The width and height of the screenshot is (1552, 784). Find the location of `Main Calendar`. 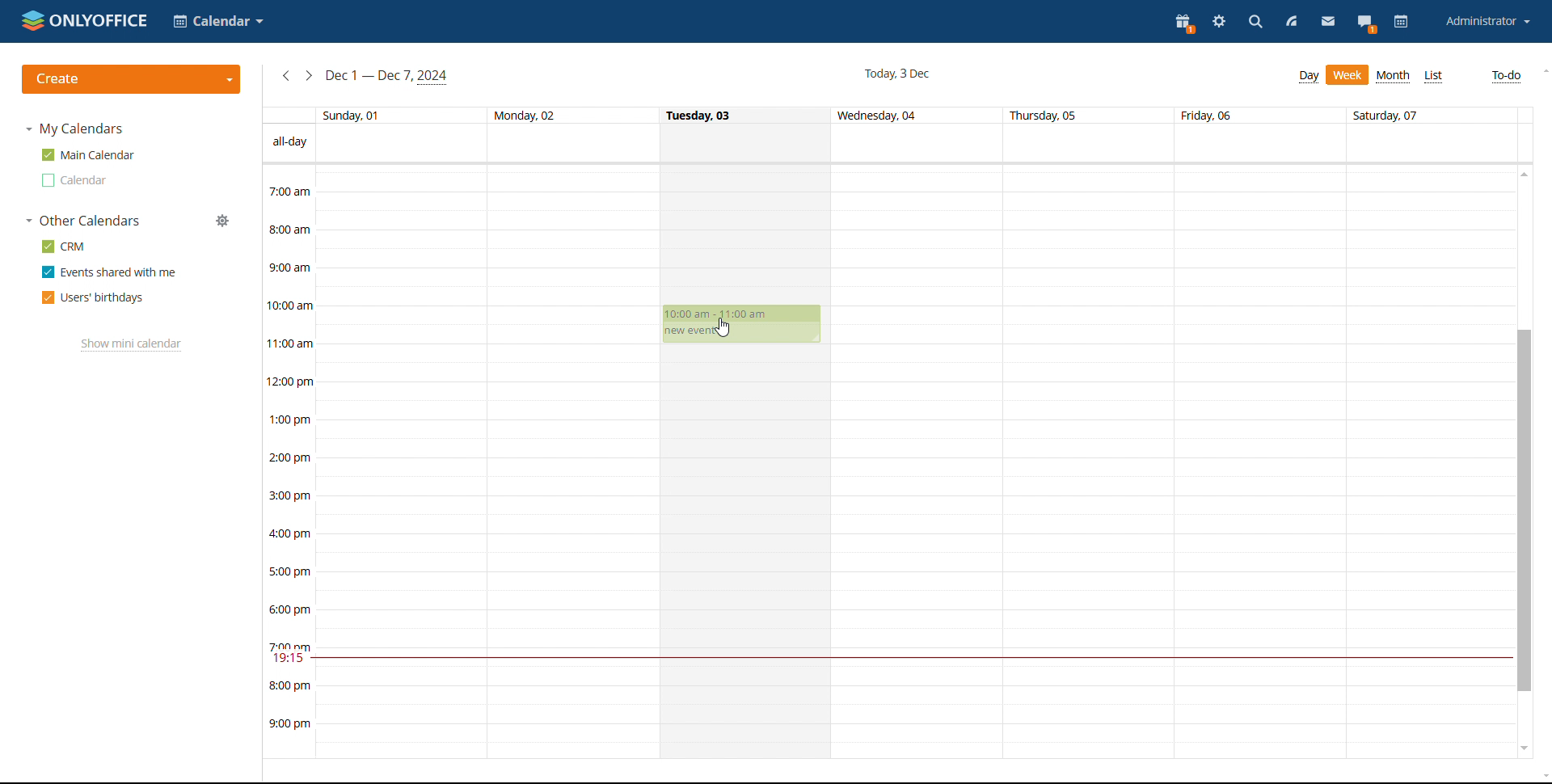

Main Calendar is located at coordinates (89, 154).